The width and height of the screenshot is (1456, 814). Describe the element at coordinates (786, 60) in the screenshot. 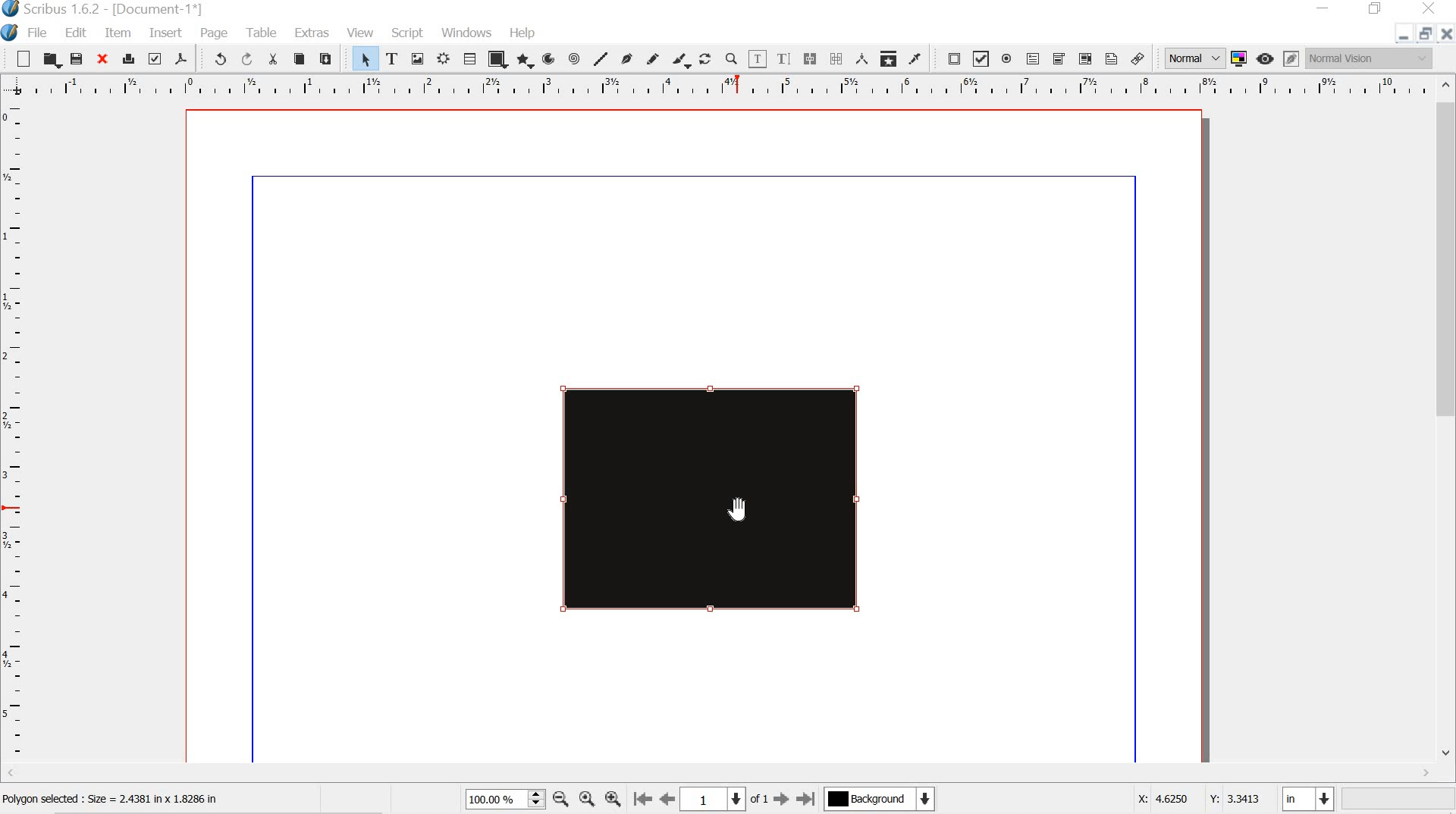

I see `edit text with story editor` at that location.